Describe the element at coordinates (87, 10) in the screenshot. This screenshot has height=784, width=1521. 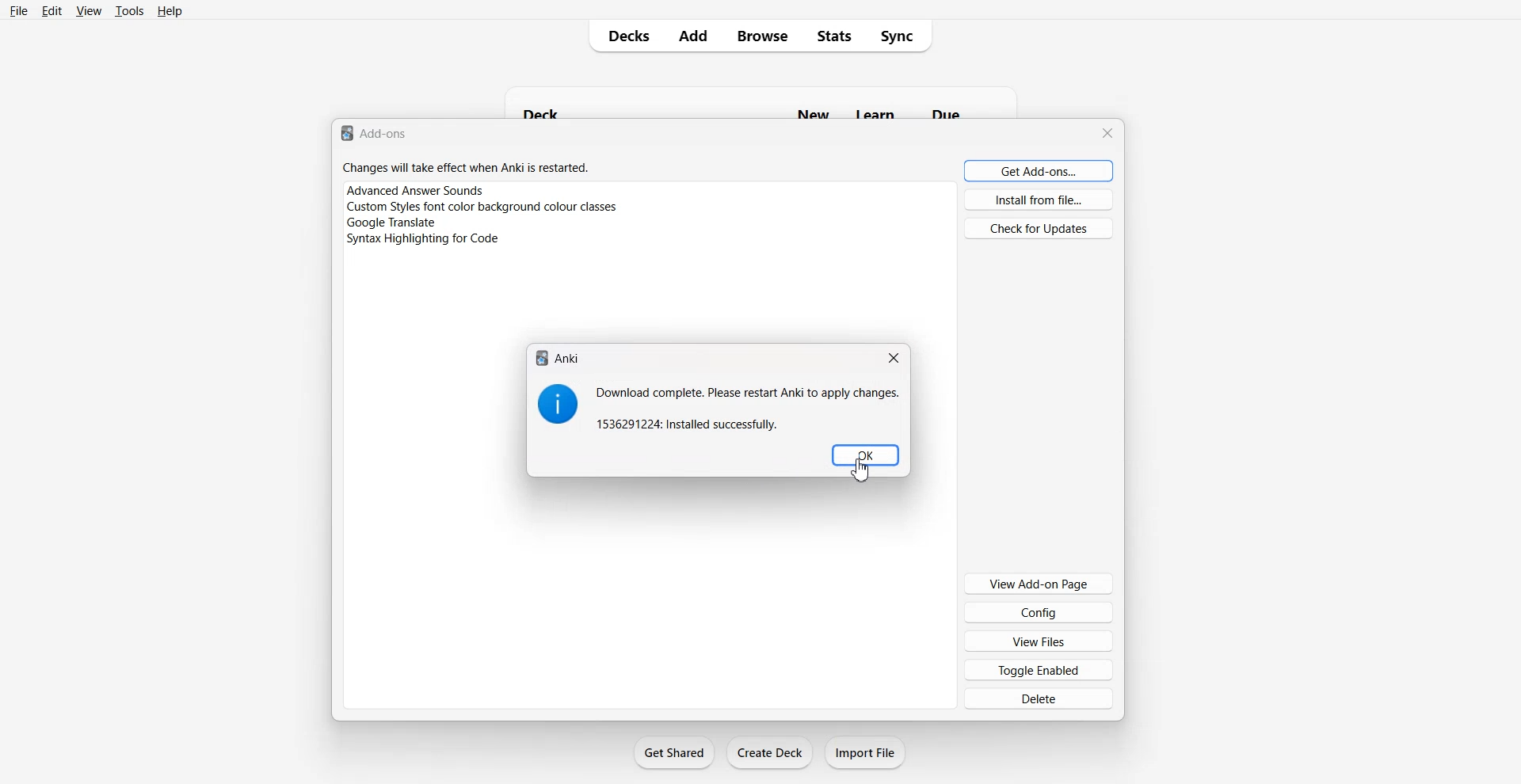
I see `View` at that location.